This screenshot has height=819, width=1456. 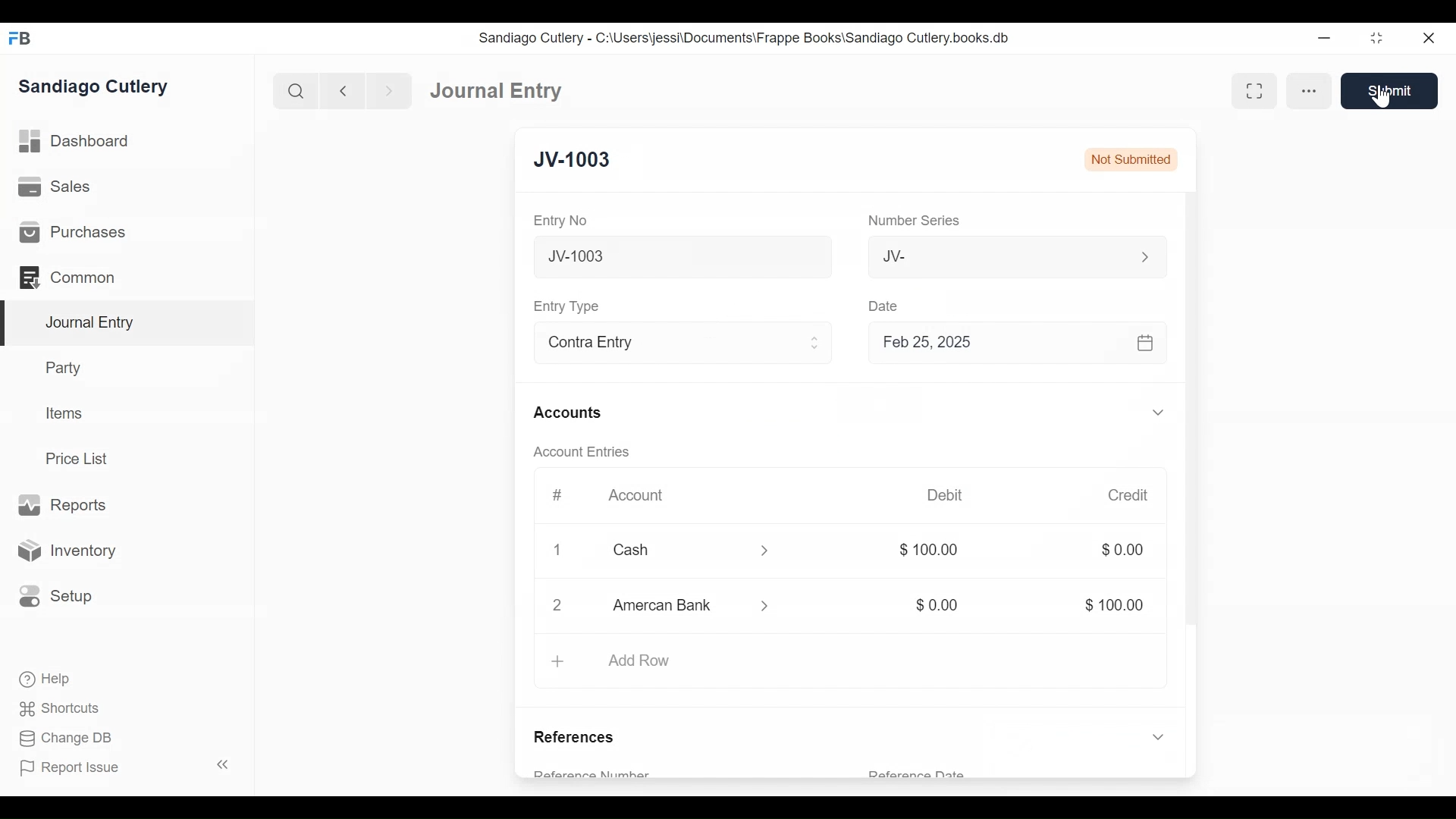 I want to click on $100.00, so click(x=925, y=550).